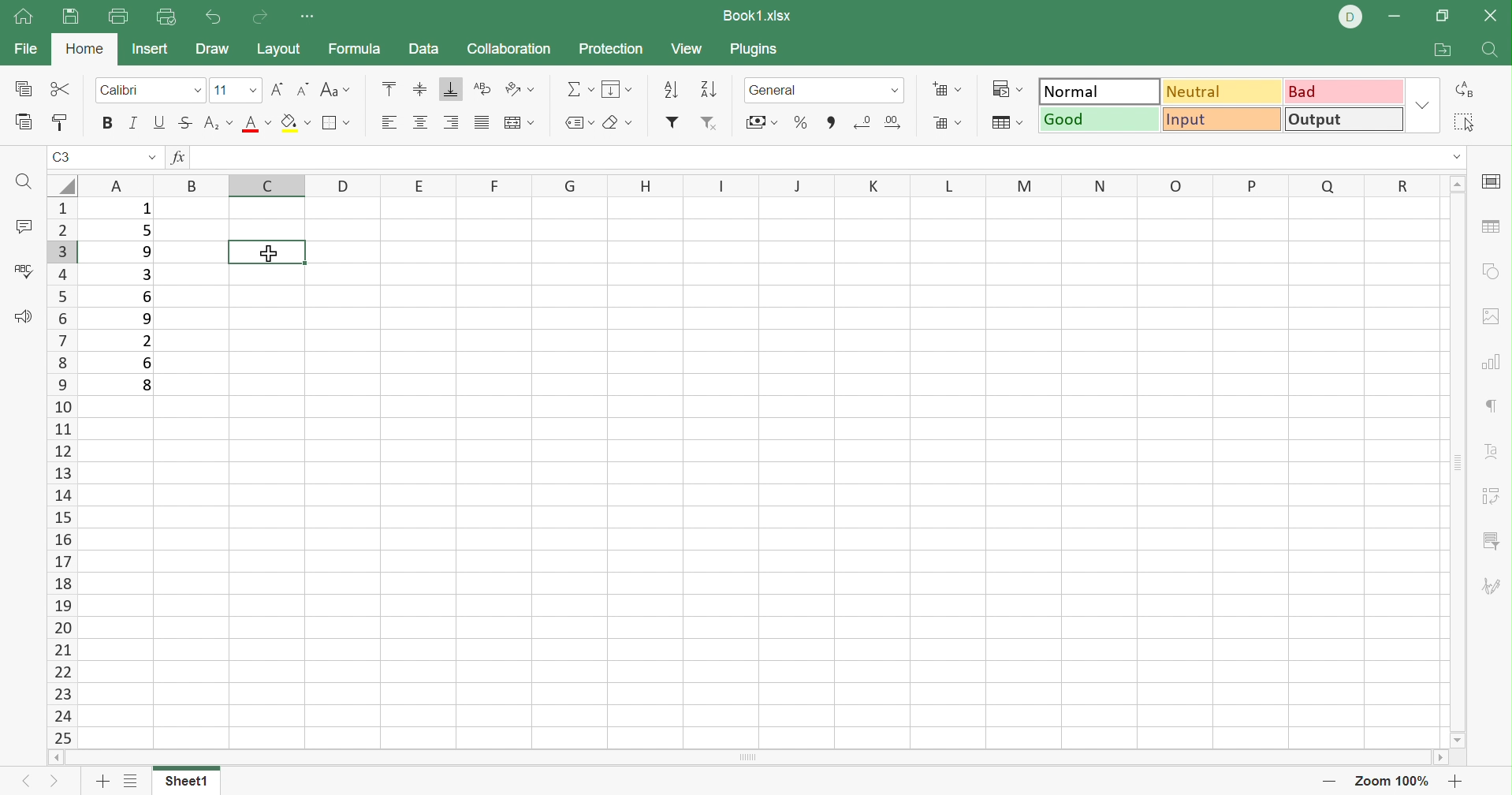  Describe the element at coordinates (1494, 585) in the screenshot. I see `Signature settings` at that location.